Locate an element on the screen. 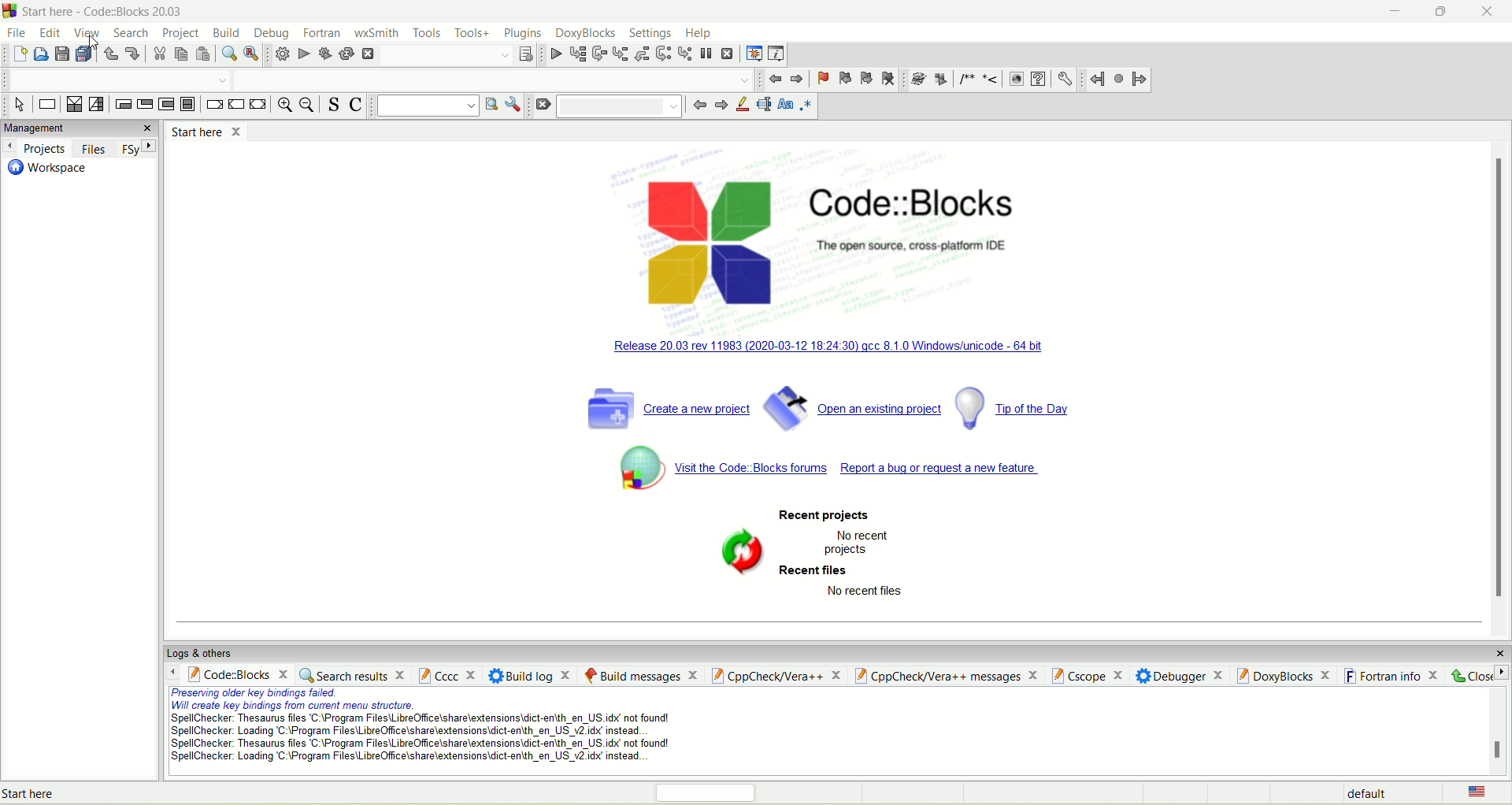 The image size is (1512, 805). build and run is located at coordinates (324, 53).